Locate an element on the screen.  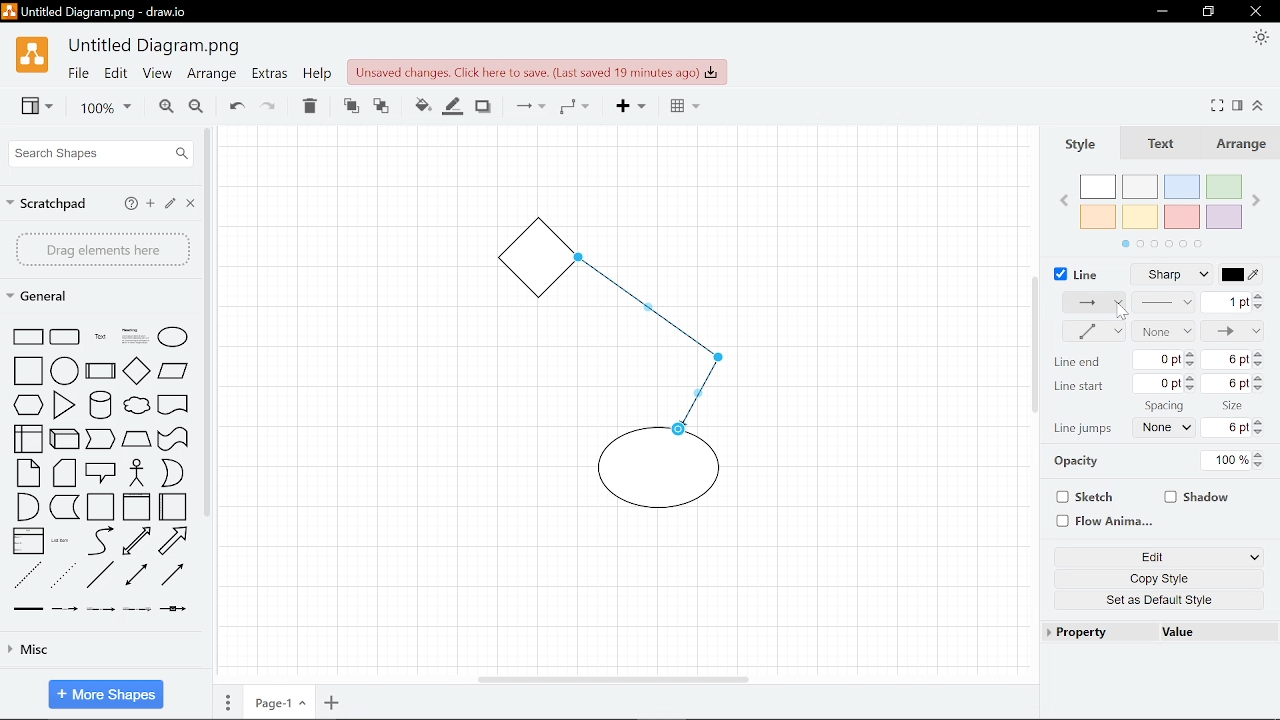
shape is located at coordinates (173, 373).